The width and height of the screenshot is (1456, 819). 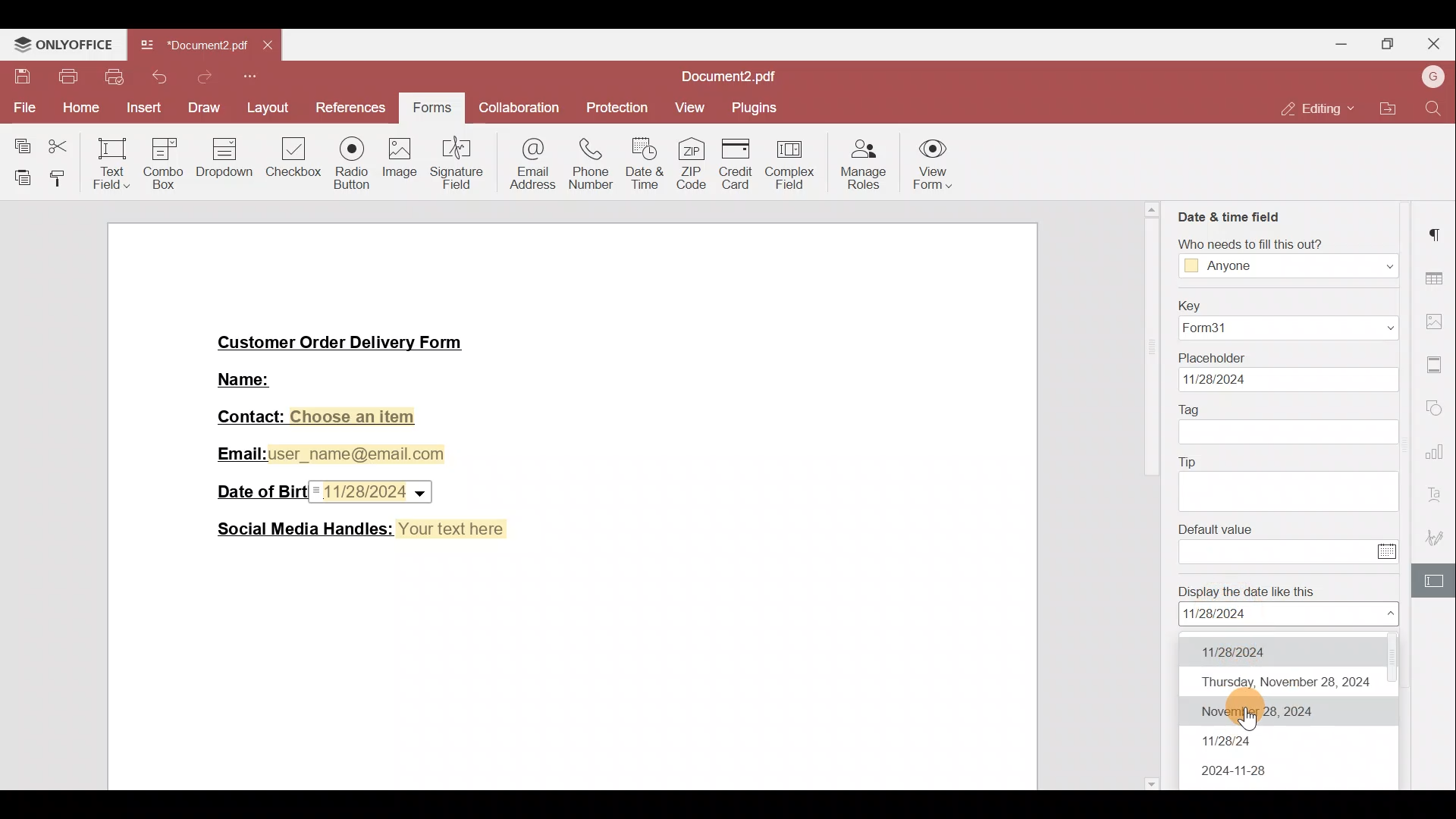 I want to click on 2024-11-28, so click(x=1238, y=773).